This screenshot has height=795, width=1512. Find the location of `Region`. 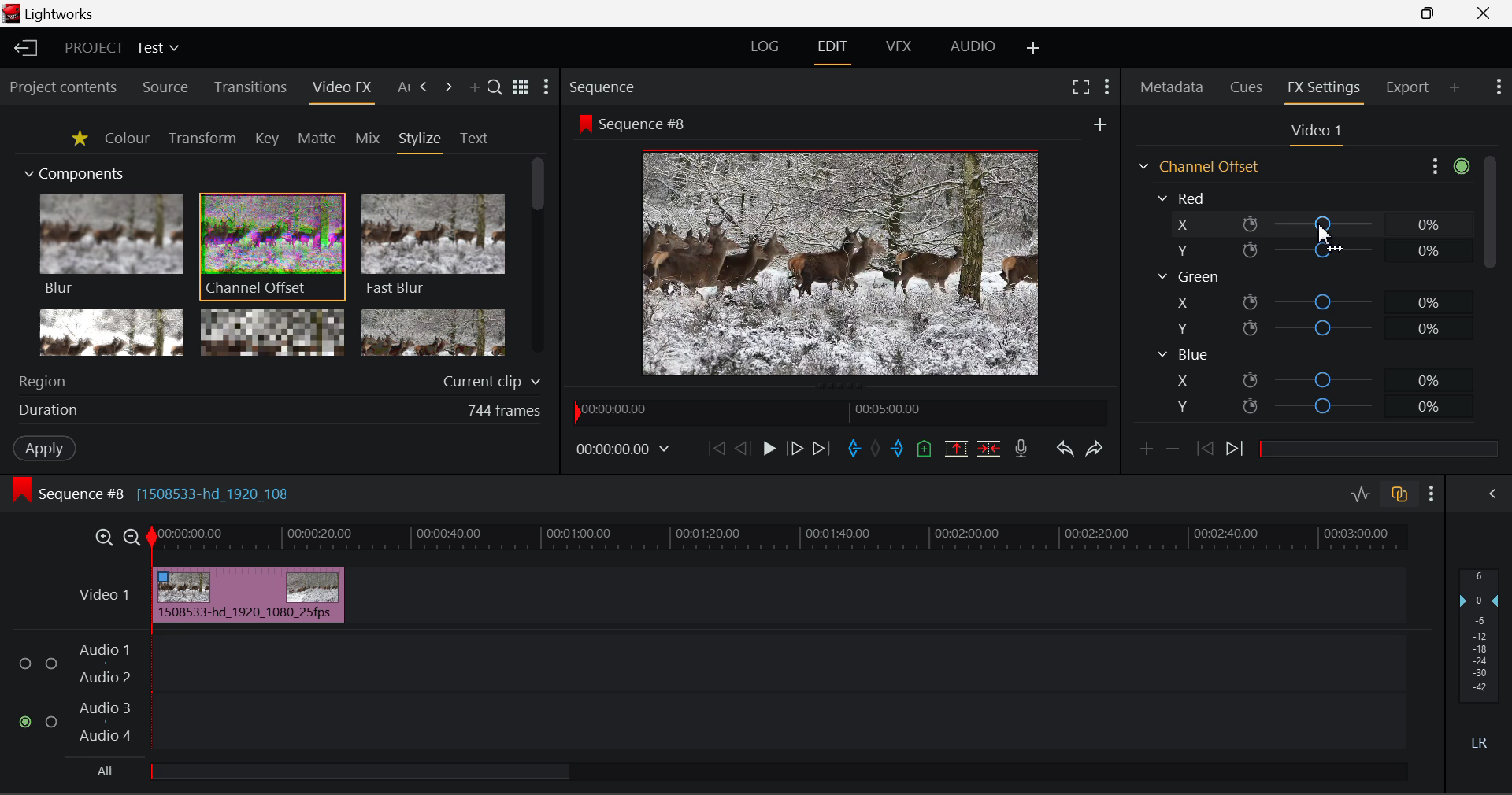

Region is located at coordinates (283, 379).